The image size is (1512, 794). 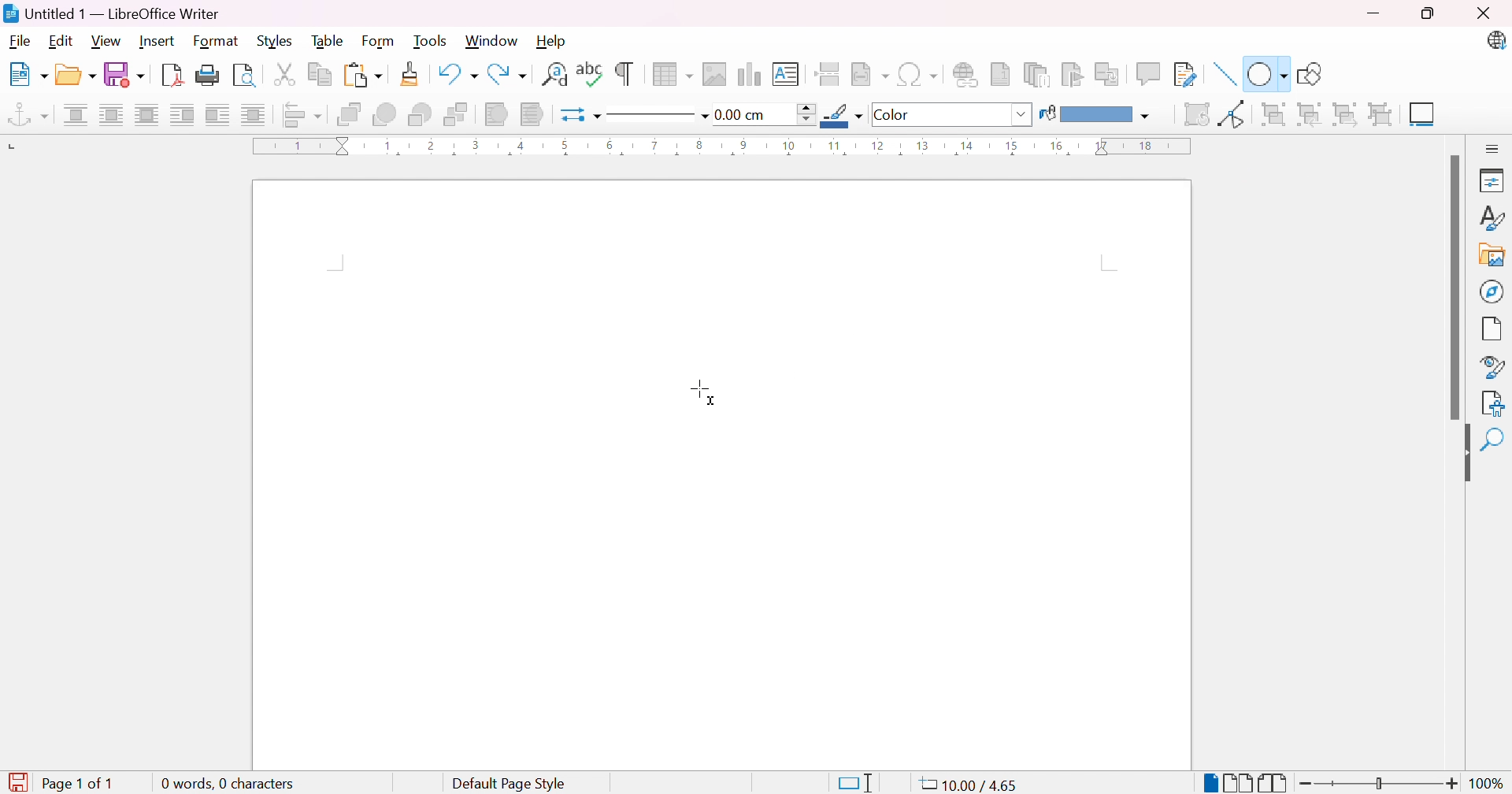 What do you see at coordinates (1213, 785) in the screenshot?
I see `Single-page view` at bounding box center [1213, 785].